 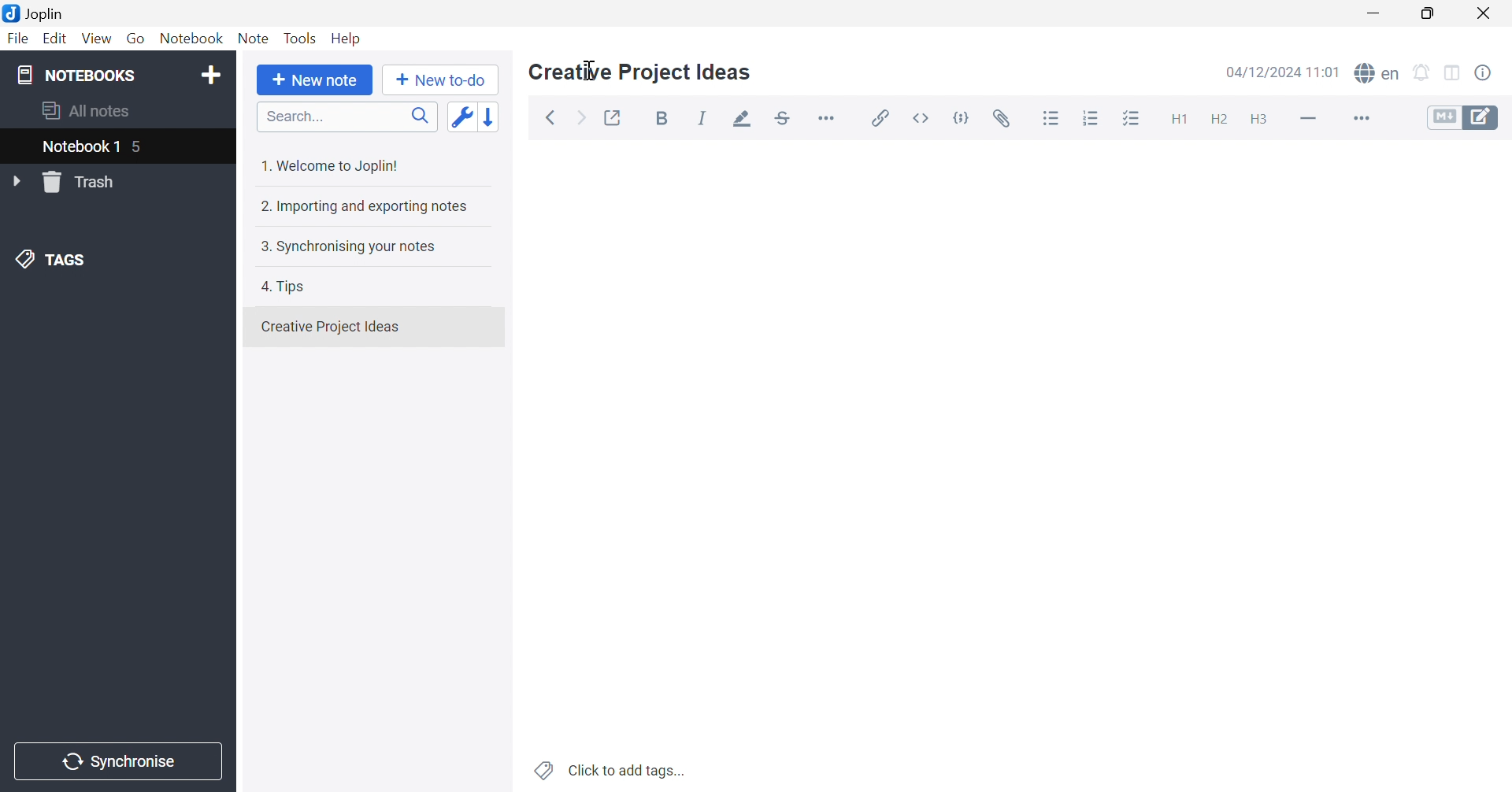 What do you see at coordinates (1178, 120) in the screenshot?
I see `Heading 1` at bounding box center [1178, 120].